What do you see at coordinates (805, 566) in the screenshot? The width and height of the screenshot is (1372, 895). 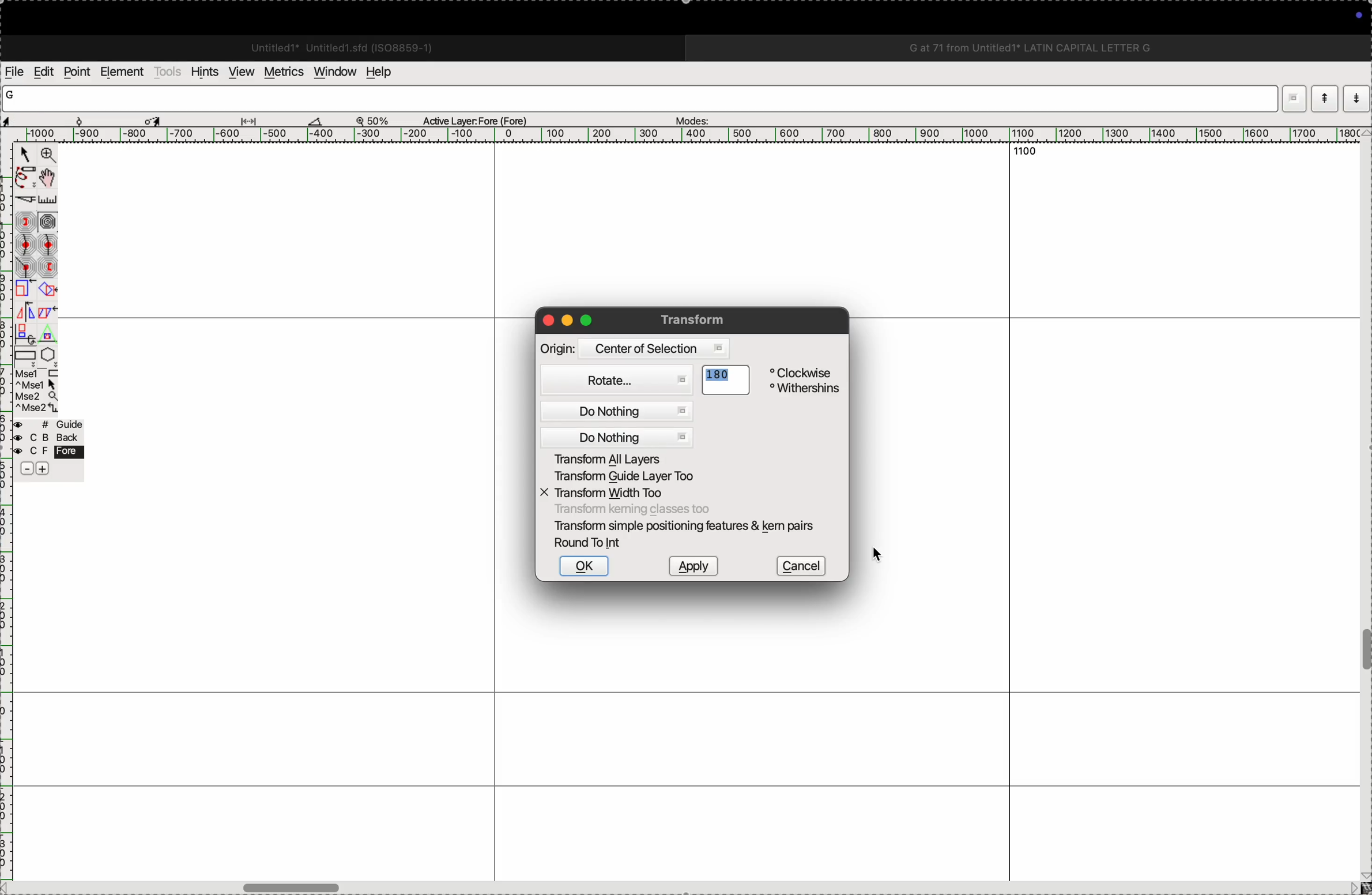 I see `cancel` at bounding box center [805, 566].